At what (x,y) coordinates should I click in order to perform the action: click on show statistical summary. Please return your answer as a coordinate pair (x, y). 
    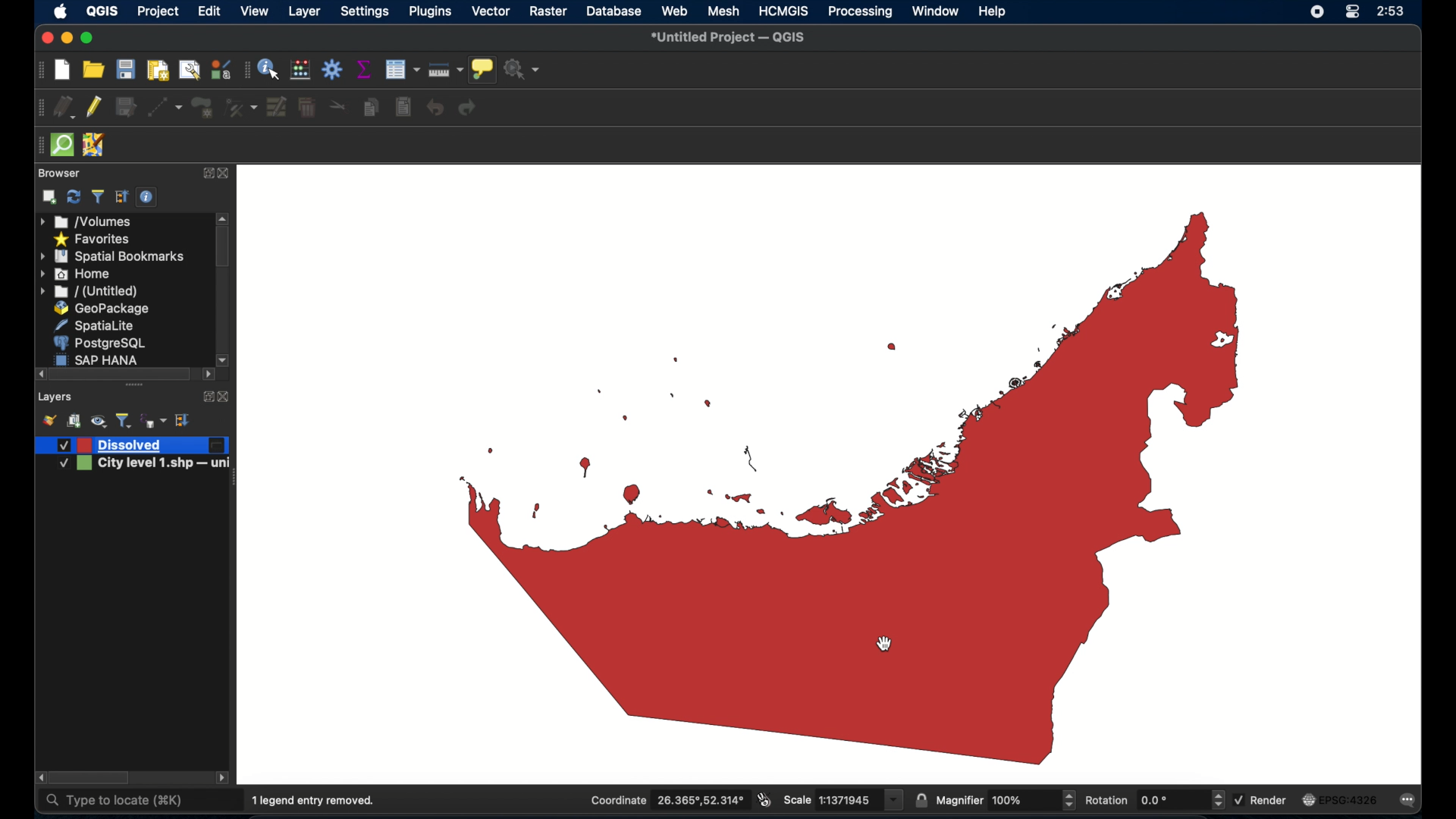
    Looking at the image, I should click on (365, 70).